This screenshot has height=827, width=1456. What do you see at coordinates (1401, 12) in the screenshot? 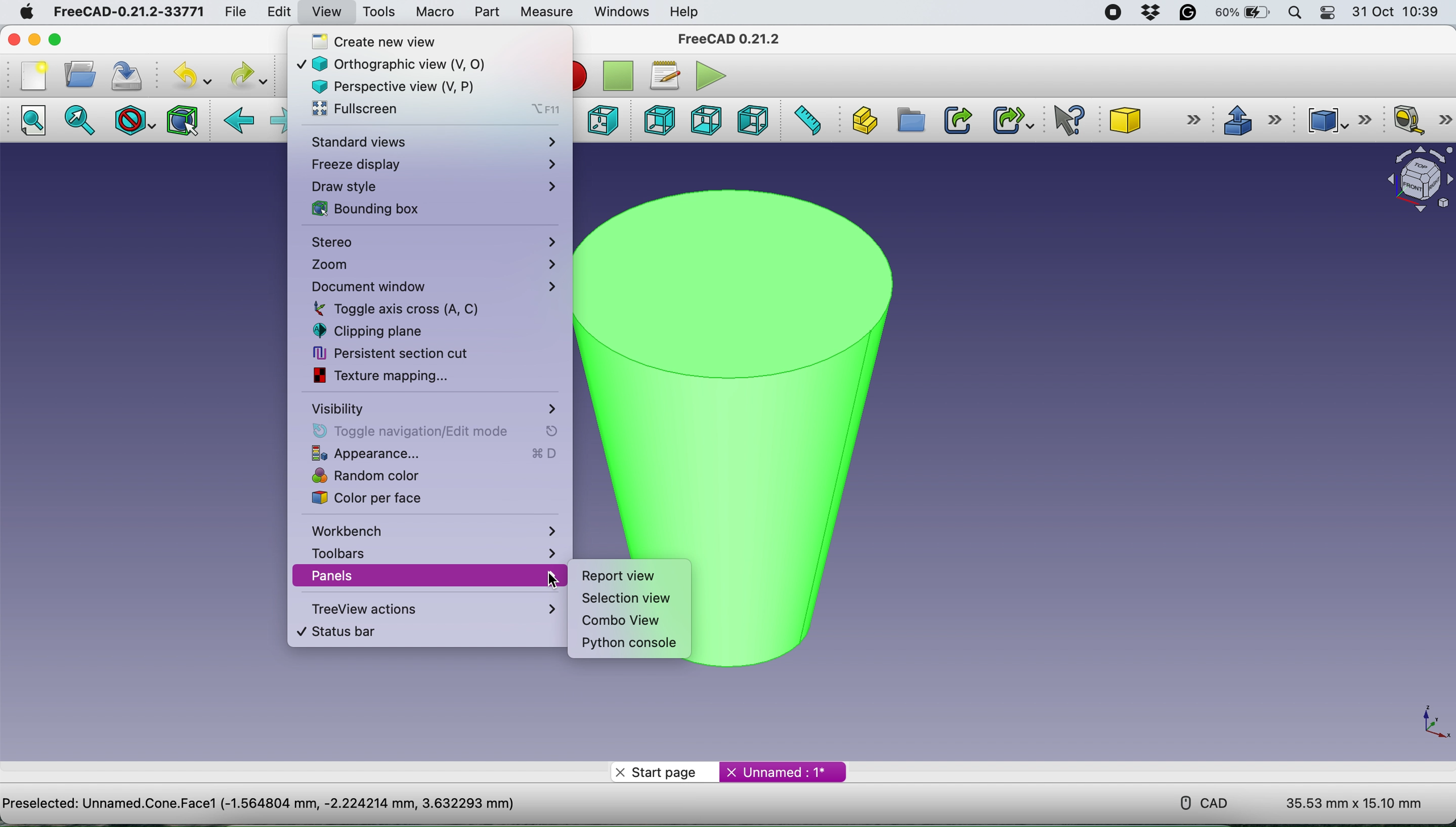
I see `31 oct 10:39 ` at bounding box center [1401, 12].